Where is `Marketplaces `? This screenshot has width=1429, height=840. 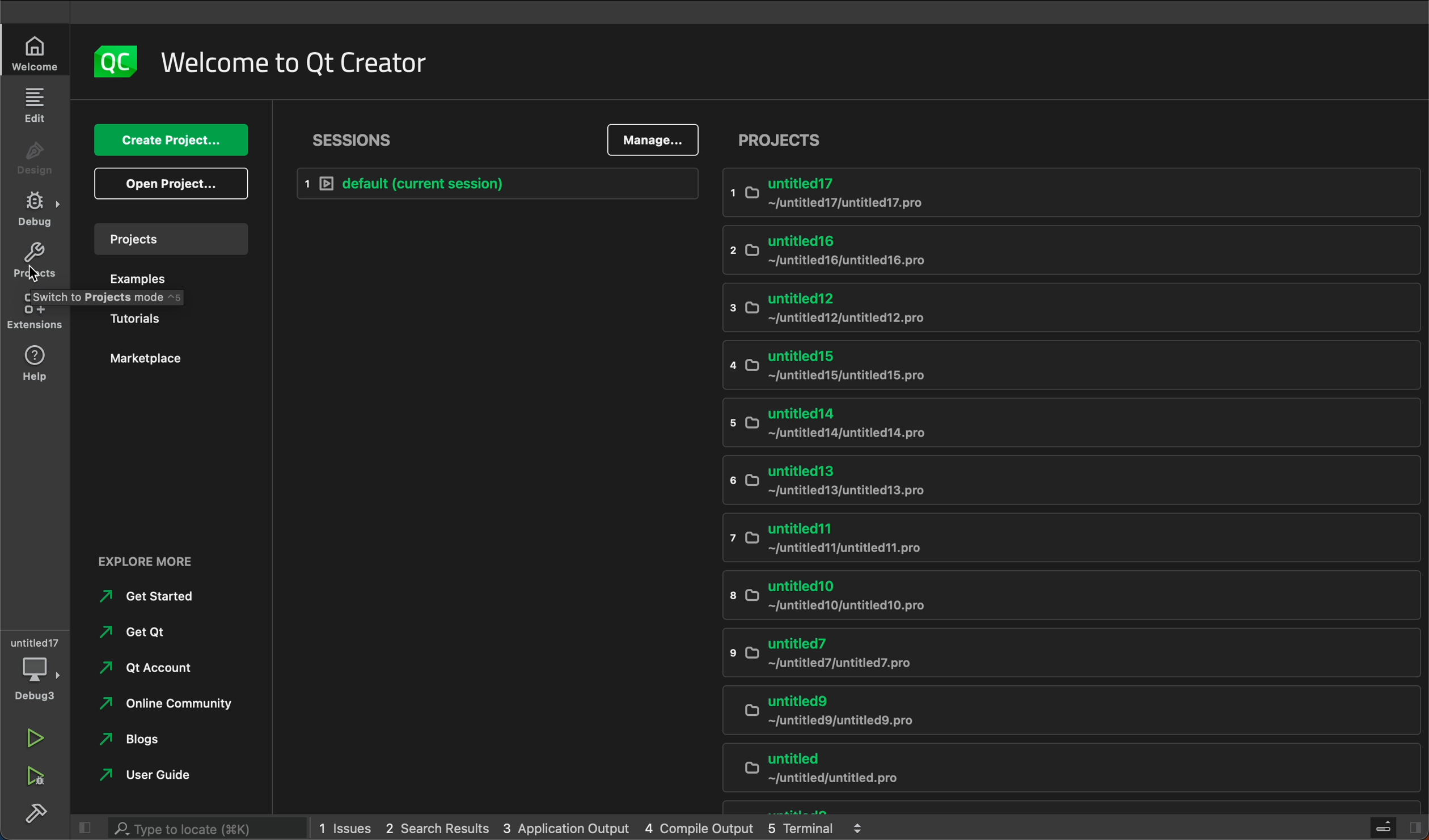
Marketplaces  is located at coordinates (159, 362).